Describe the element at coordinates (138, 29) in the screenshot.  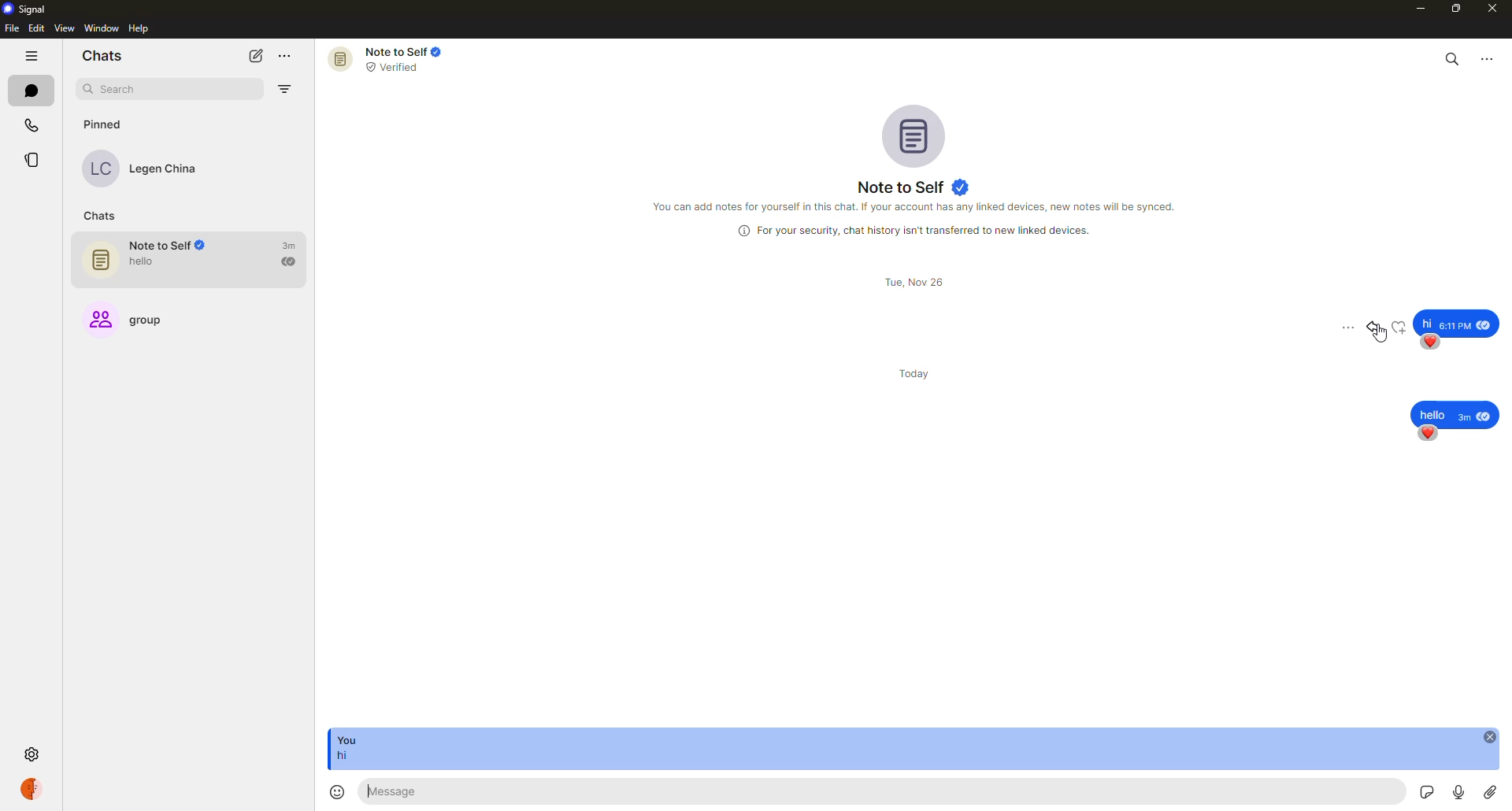
I see `help` at that location.